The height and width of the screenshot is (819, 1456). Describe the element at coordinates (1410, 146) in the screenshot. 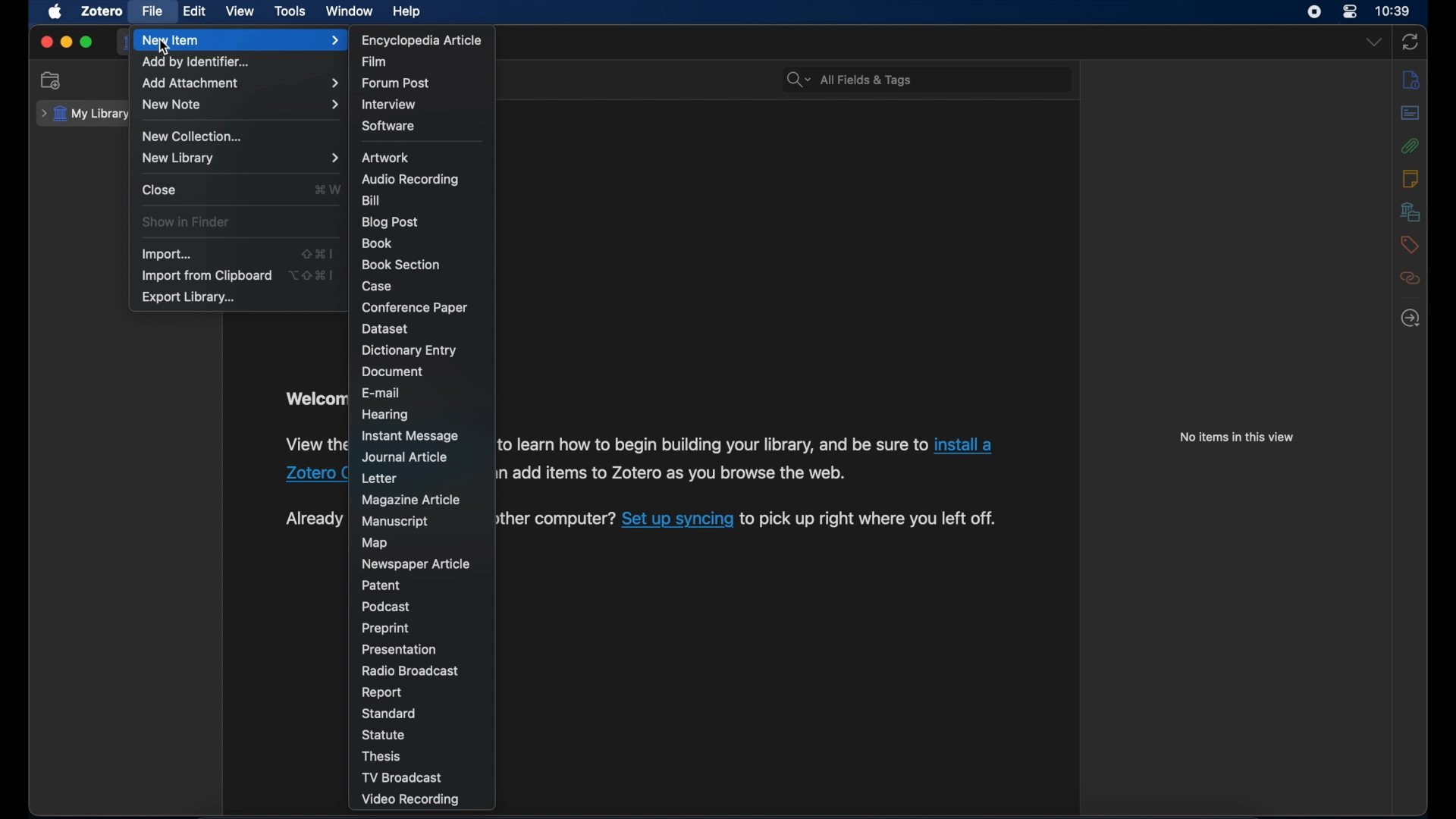

I see `attachments` at that location.